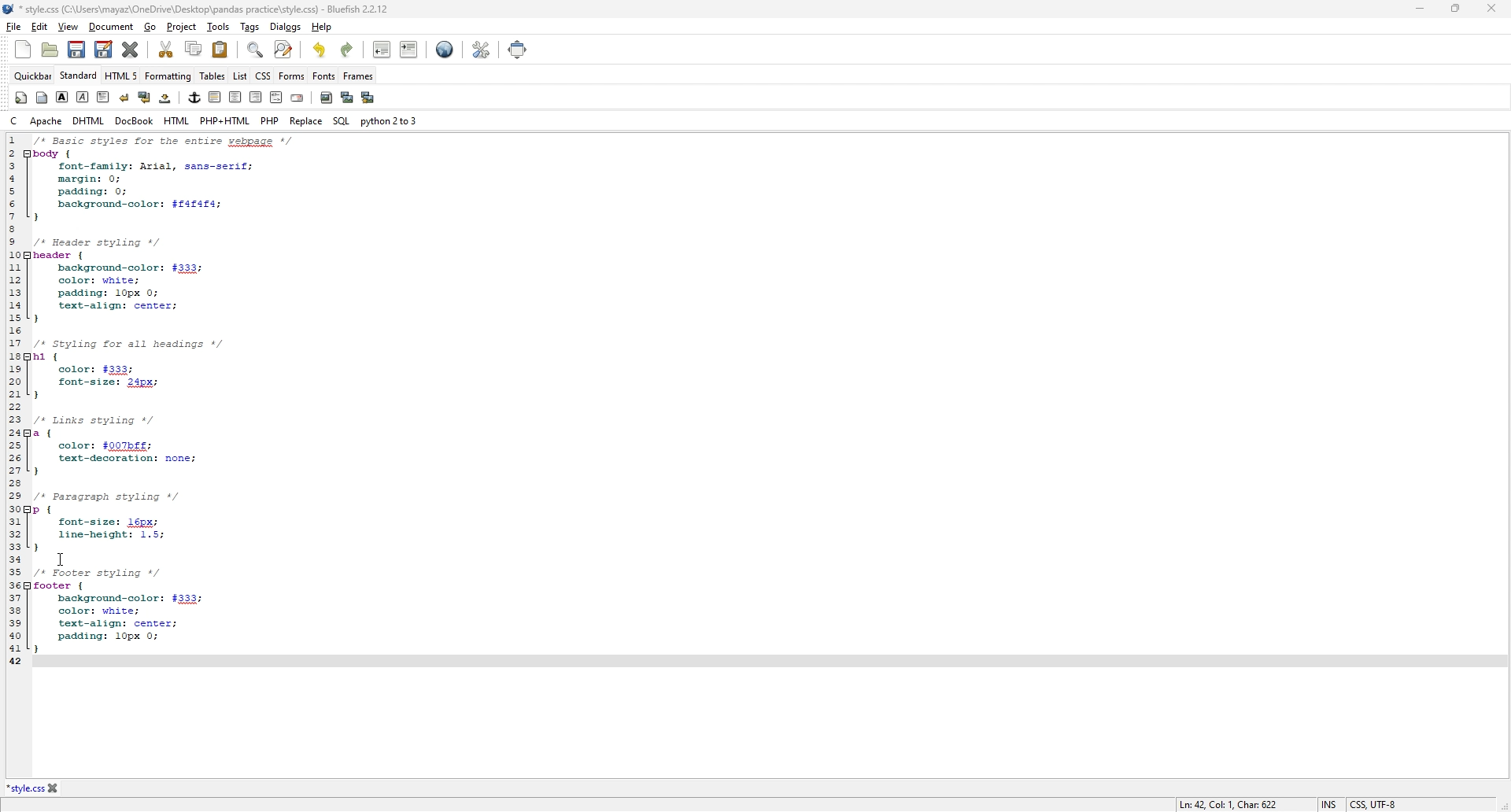 The height and width of the screenshot is (812, 1511). I want to click on INS, so click(1327, 803).